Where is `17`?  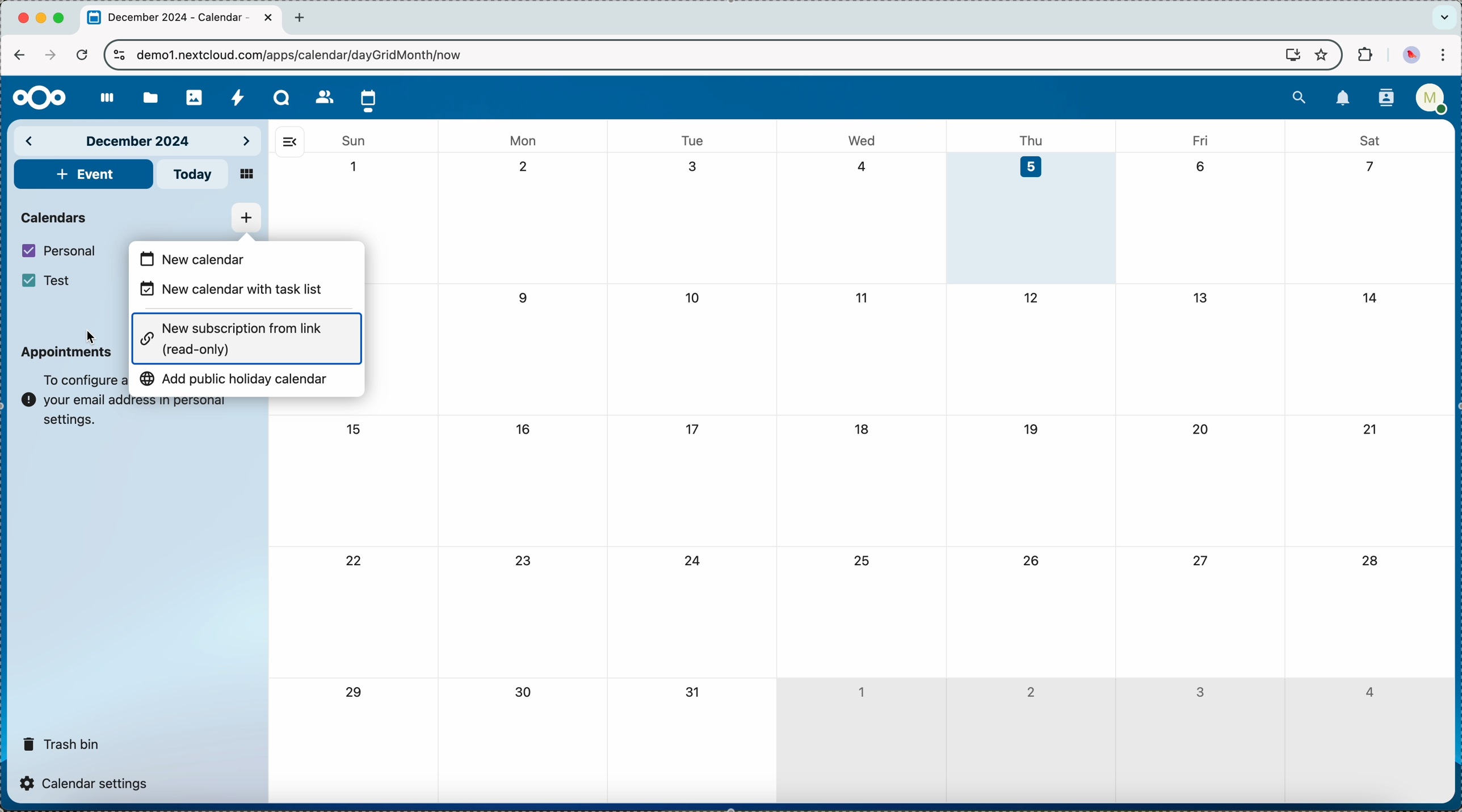 17 is located at coordinates (694, 430).